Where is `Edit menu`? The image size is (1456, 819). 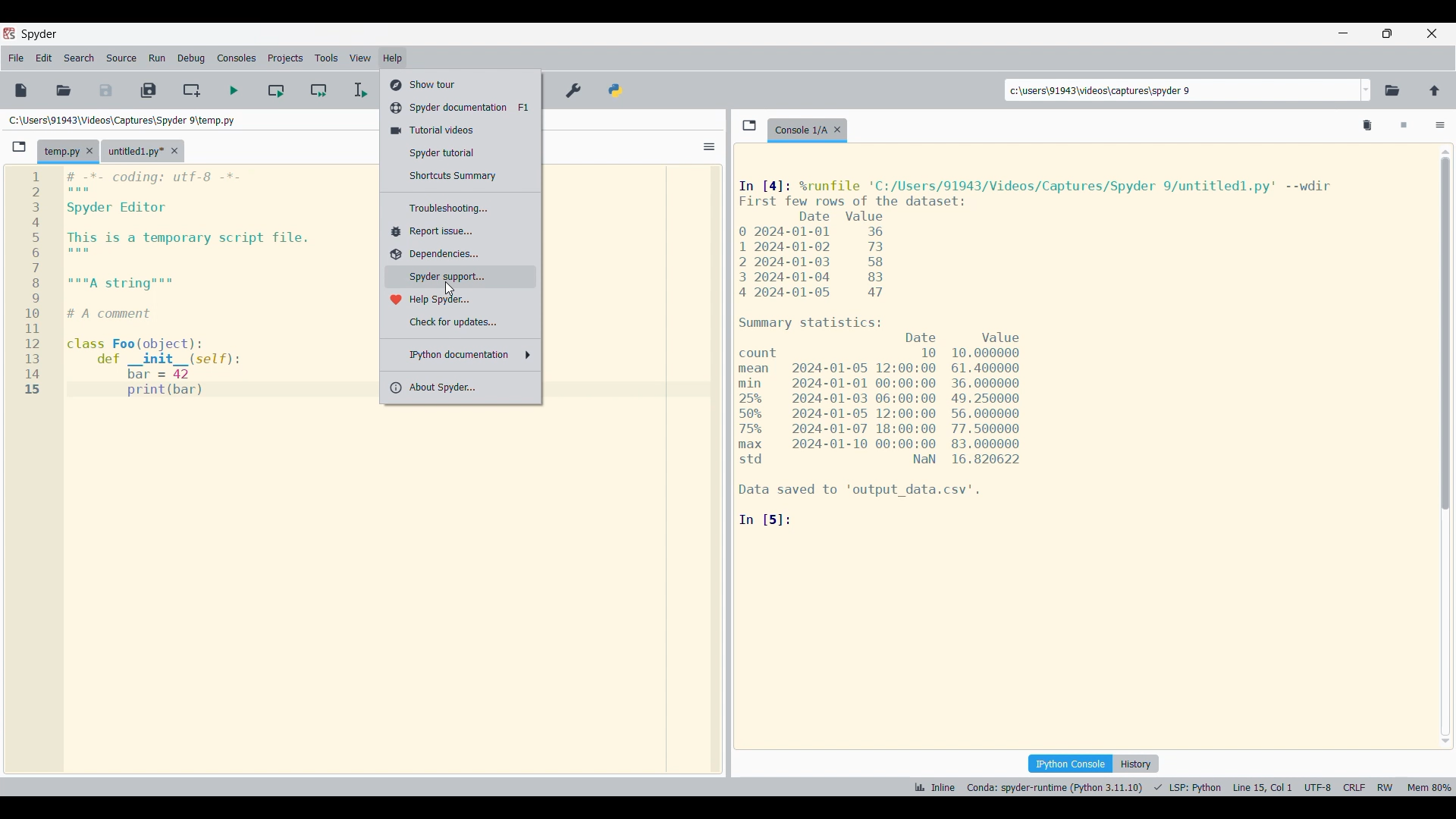 Edit menu is located at coordinates (44, 58).